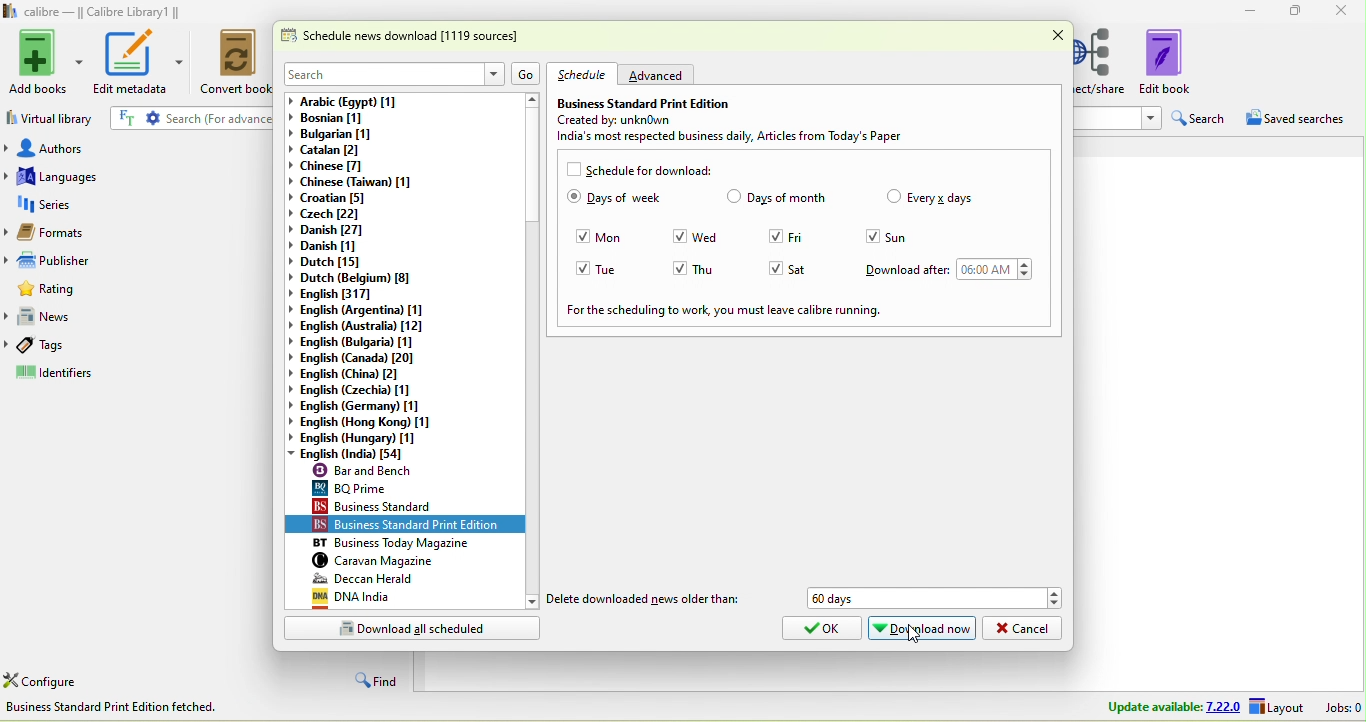  What do you see at coordinates (362, 454) in the screenshot?
I see `english (india)[54]` at bounding box center [362, 454].